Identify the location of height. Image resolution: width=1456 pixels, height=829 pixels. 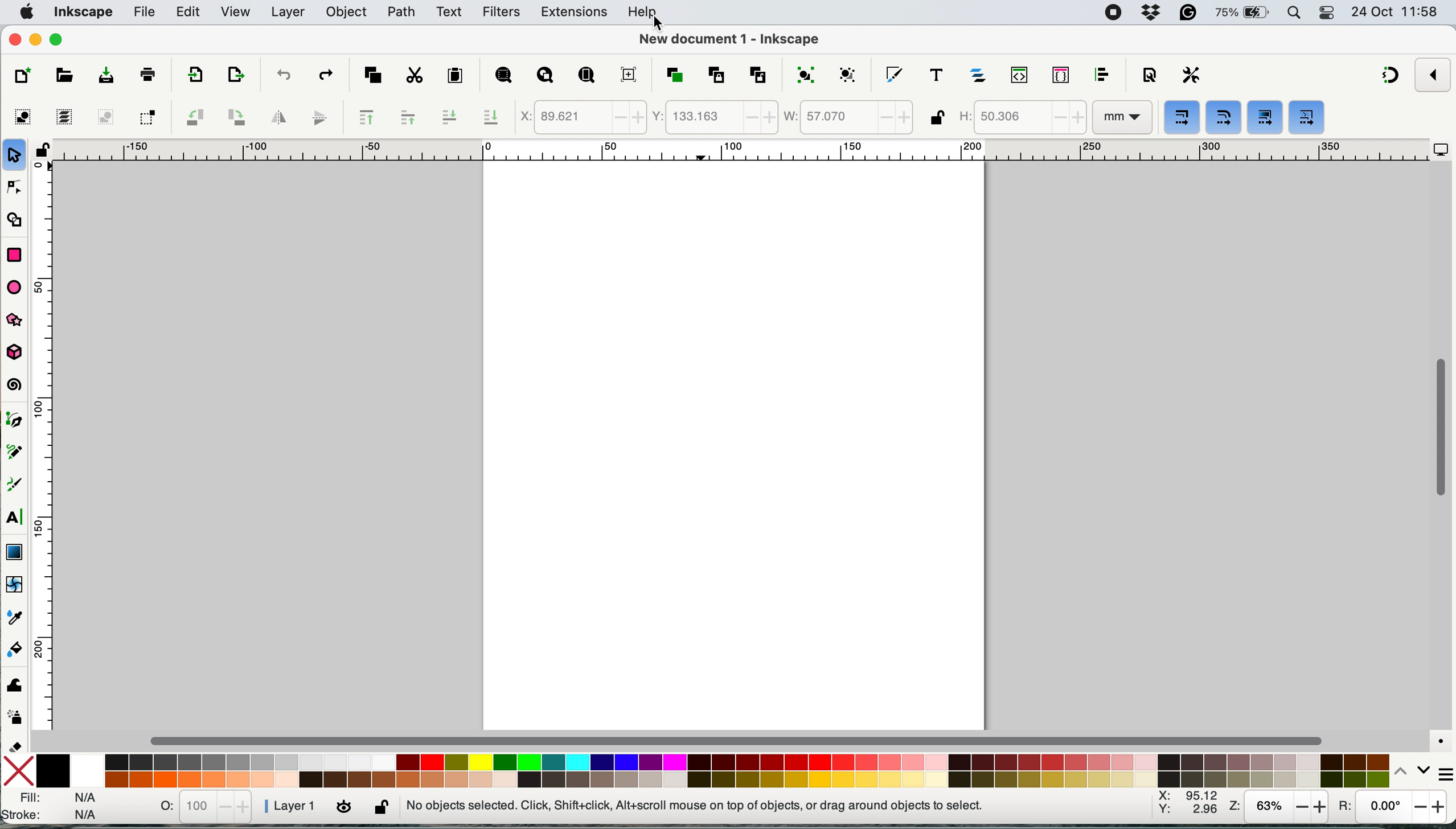
(1023, 117).